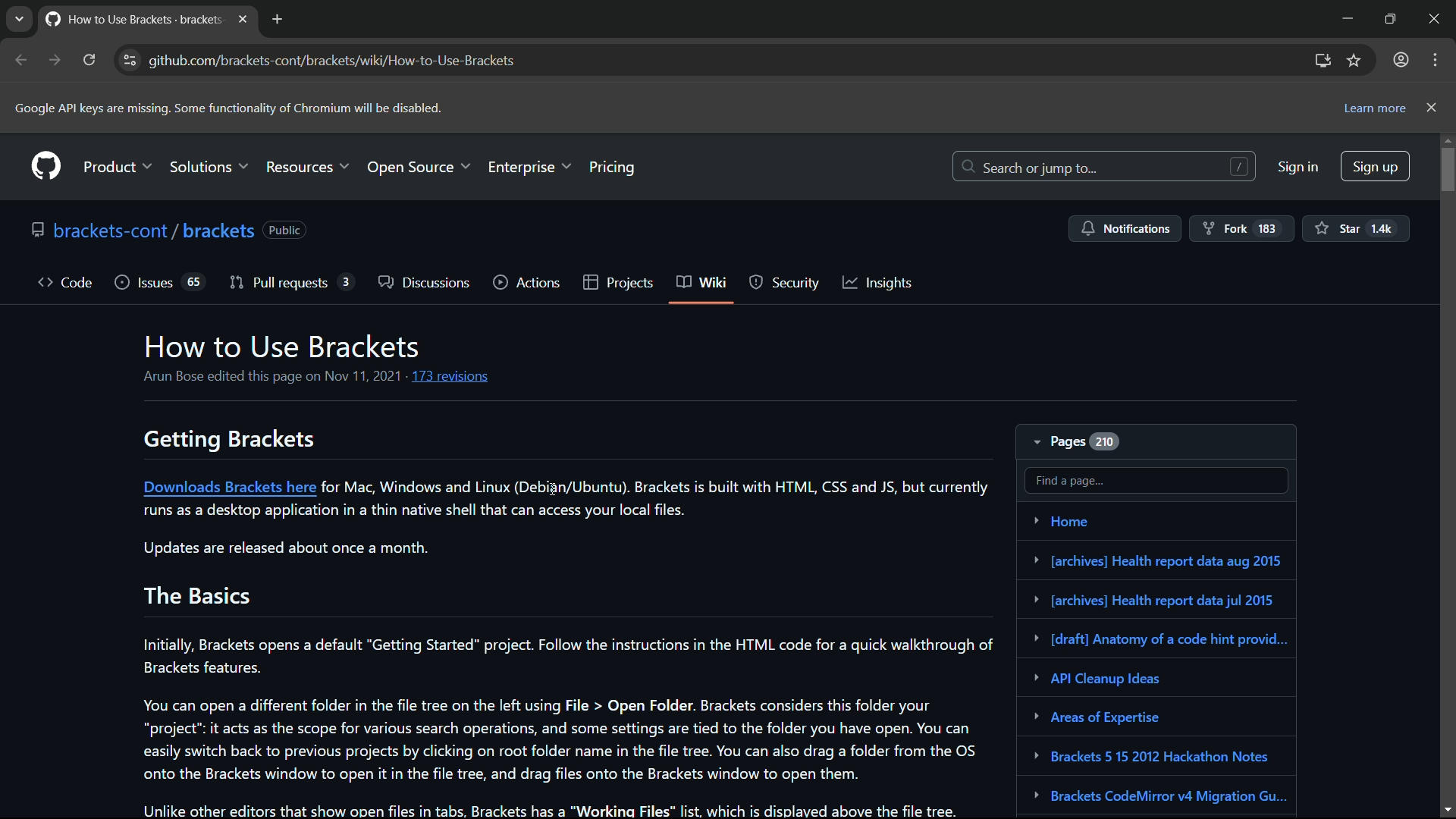 The width and height of the screenshot is (1456, 819). Describe the element at coordinates (1156, 480) in the screenshot. I see `find a page` at that location.